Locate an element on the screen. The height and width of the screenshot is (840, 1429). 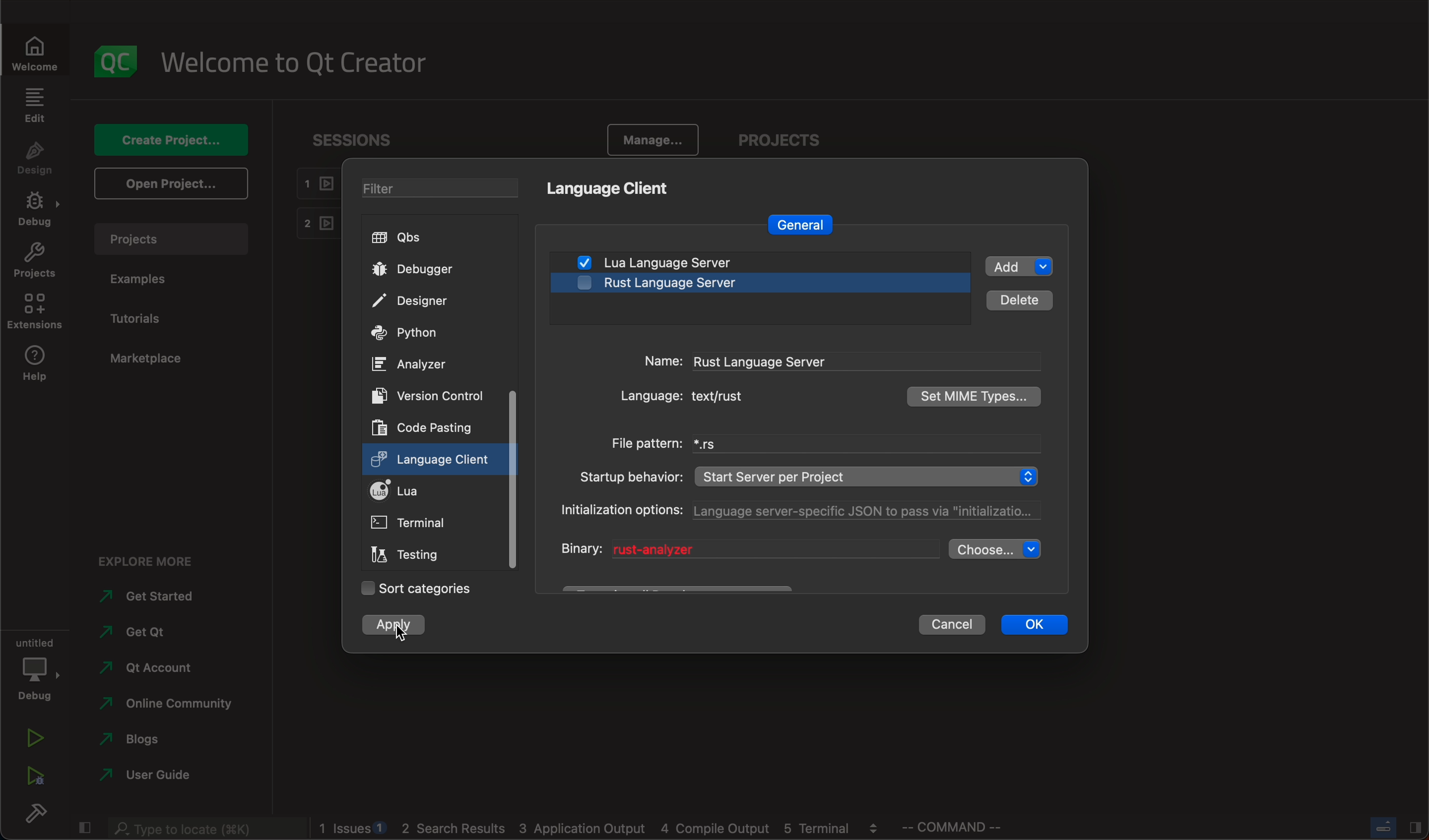
open is located at coordinates (170, 182).